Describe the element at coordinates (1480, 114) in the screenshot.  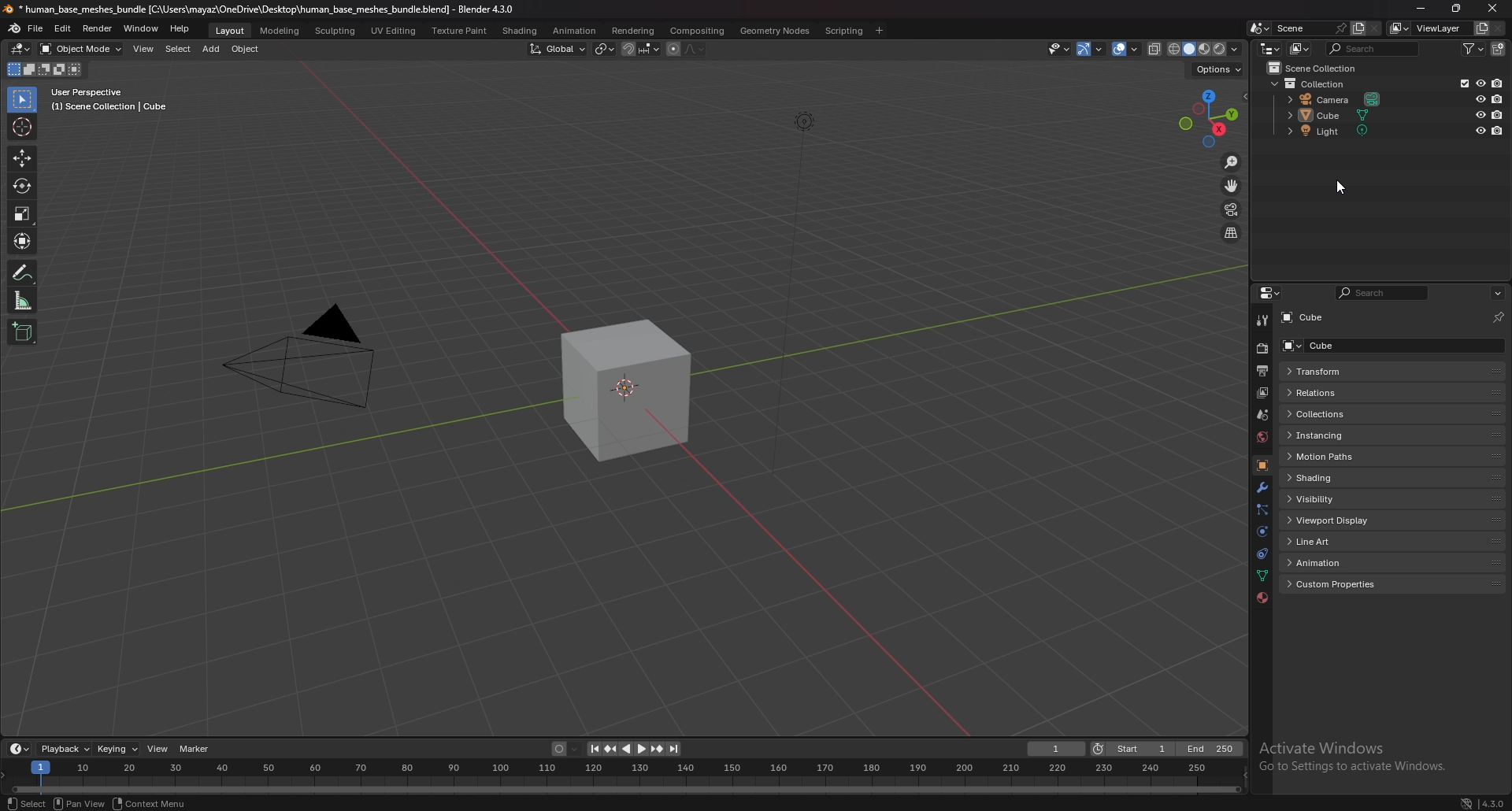
I see `hide in viewport` at that location.